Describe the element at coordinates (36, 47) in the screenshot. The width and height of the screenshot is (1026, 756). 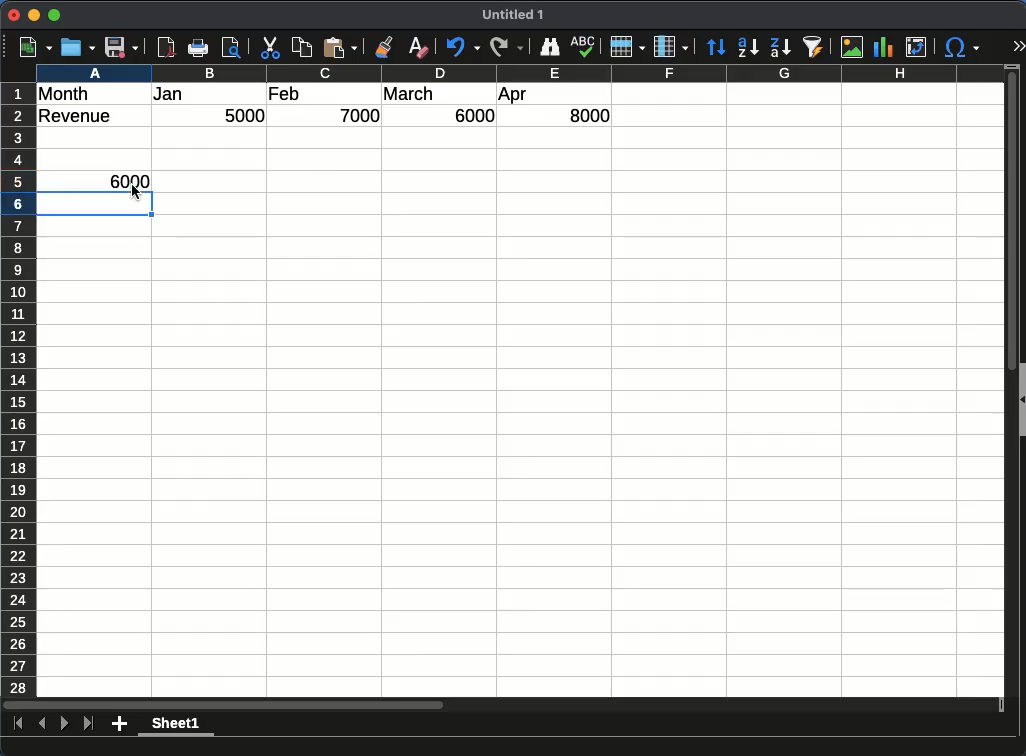
I see `new` at that location.